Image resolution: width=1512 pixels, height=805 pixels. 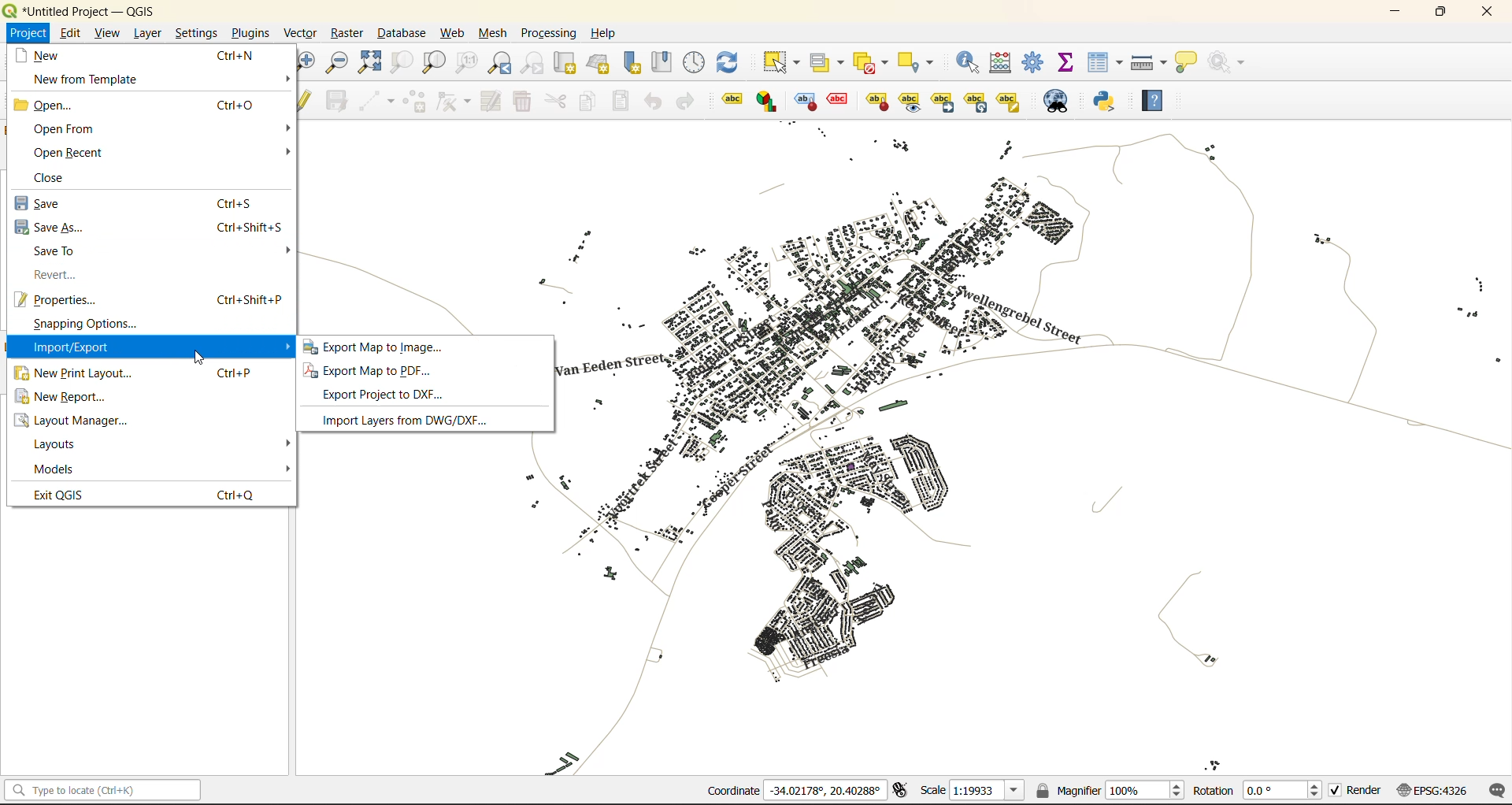 What do you see at coordinates (414, 102) in the screenshot?
I see `add polygon` at bounding box center [414, 102].